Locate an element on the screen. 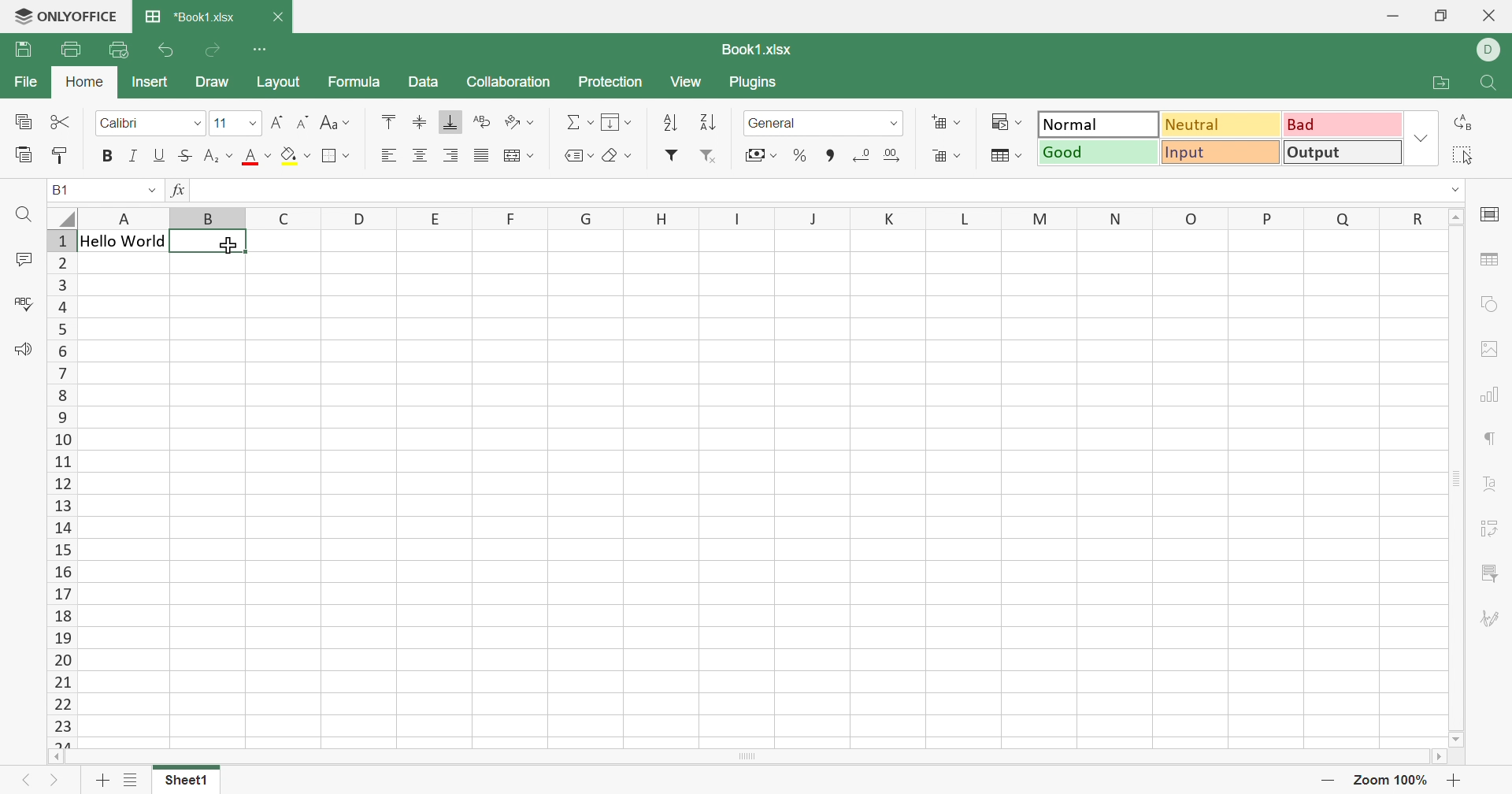 Image resolution: width=1512 pixels, height=794 pixels. Zoom 100% is located at coordinates (1390, 781).